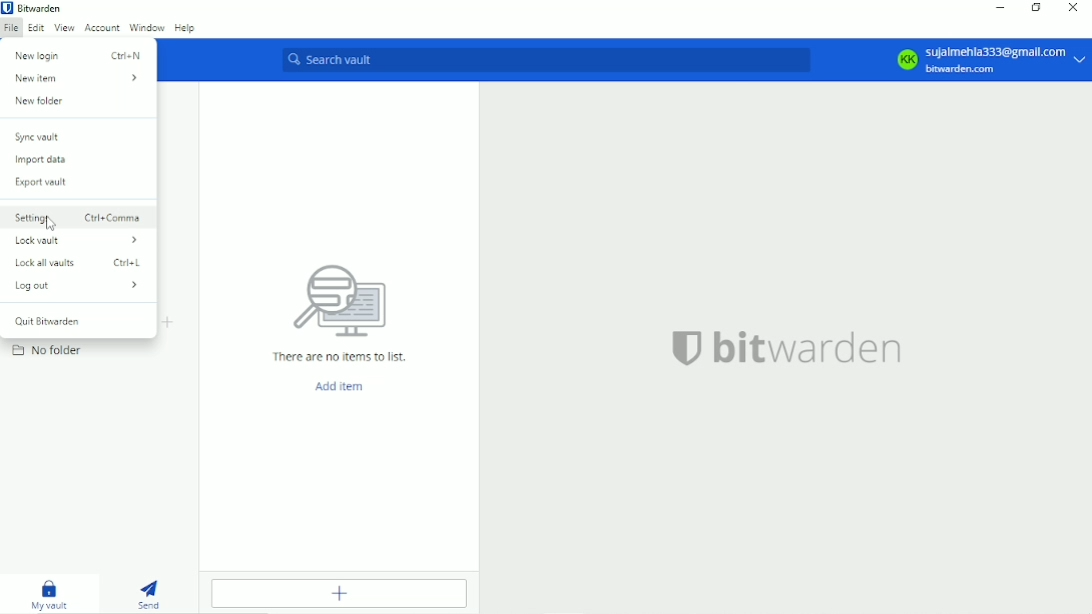 The width and height of the screenshot is (1092, 614). Describe the element at coordinates (36, 29) in the screenshot. I see `Edit` at that location.